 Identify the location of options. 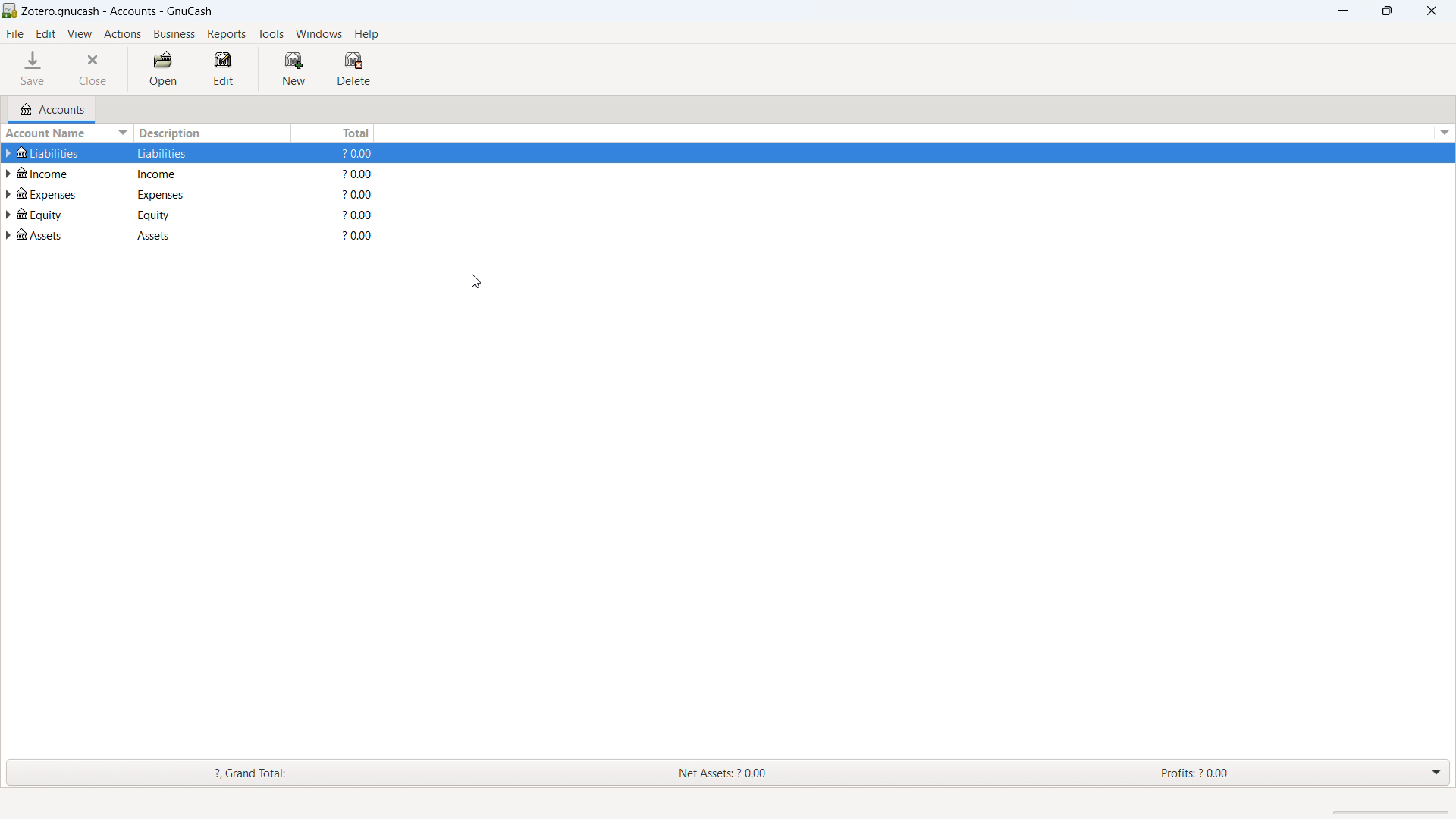
(1442, 133).